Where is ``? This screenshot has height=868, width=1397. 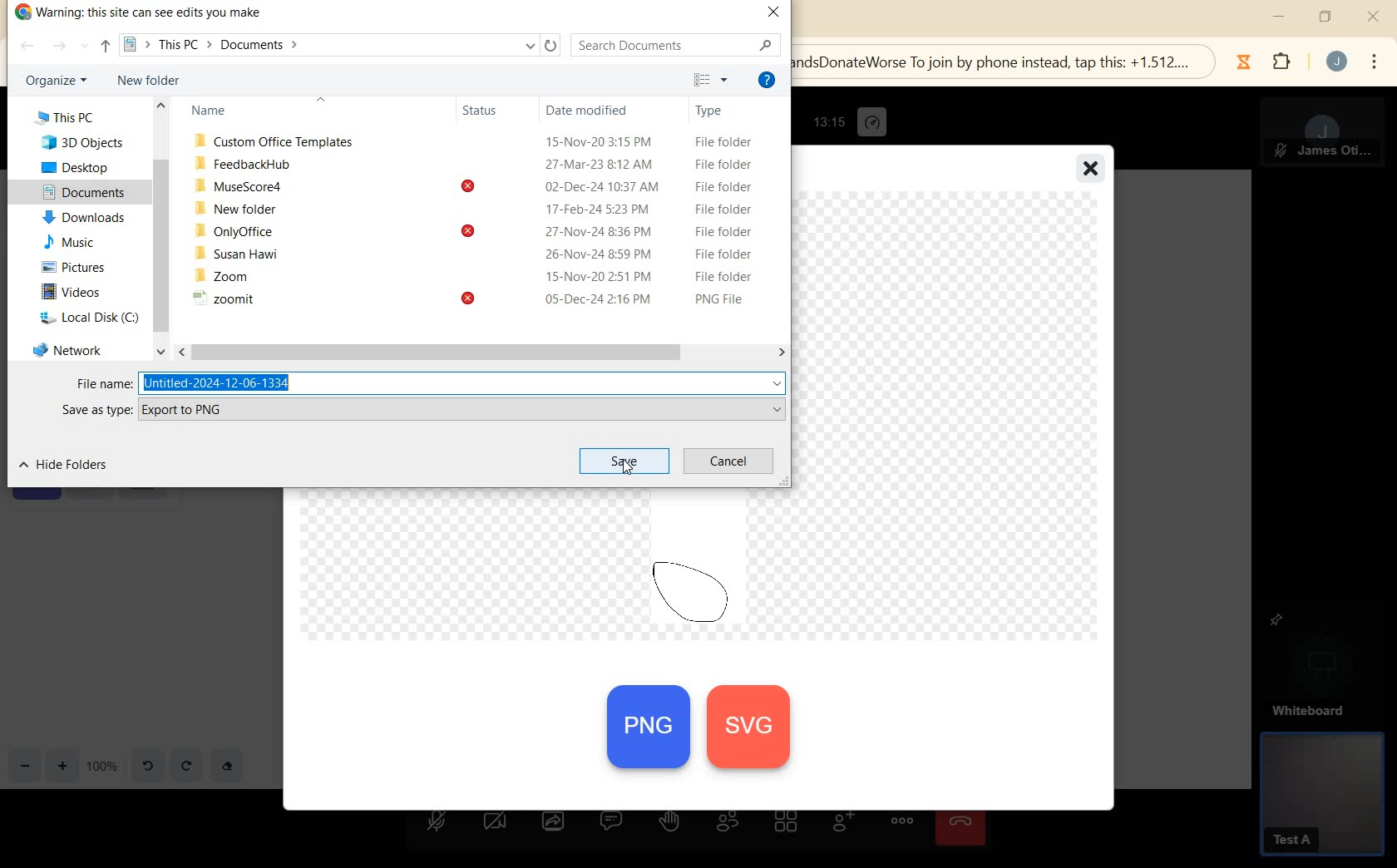
 is located at coordinates (727, 300).